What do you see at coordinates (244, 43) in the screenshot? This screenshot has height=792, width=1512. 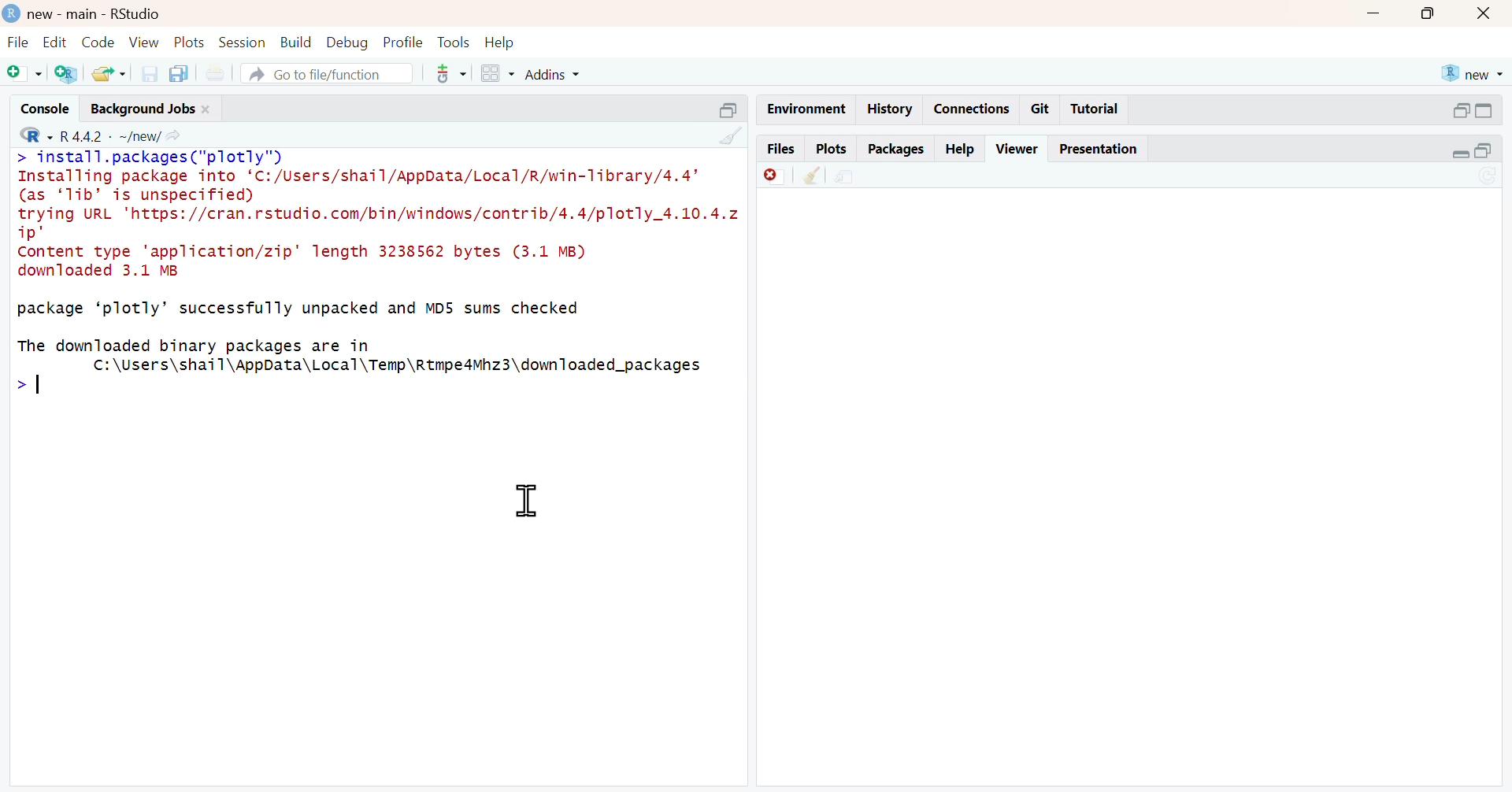 I see `session` at bounding box center [244, 43].